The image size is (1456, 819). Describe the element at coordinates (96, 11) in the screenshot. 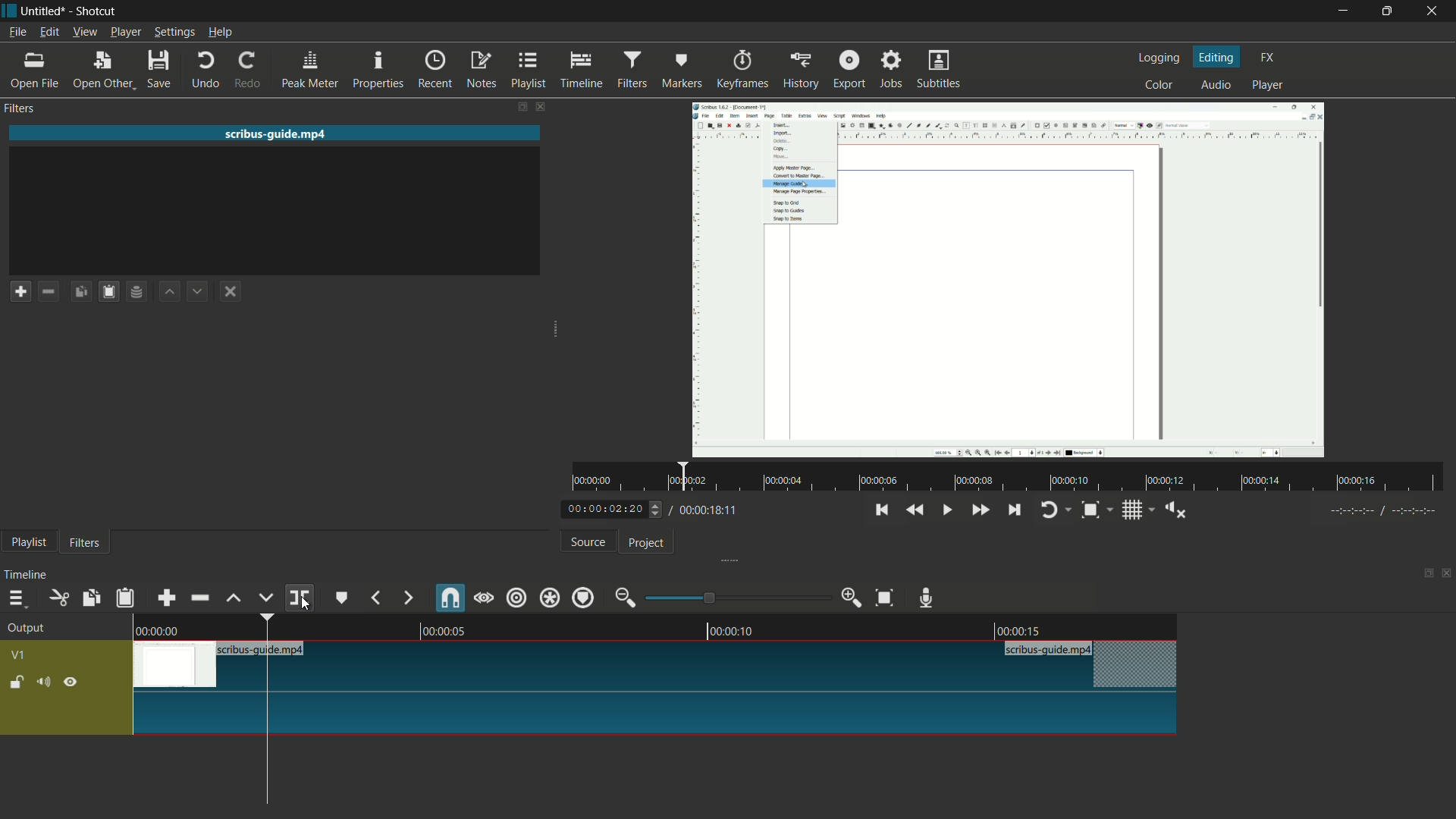

I see `app name` at that location.